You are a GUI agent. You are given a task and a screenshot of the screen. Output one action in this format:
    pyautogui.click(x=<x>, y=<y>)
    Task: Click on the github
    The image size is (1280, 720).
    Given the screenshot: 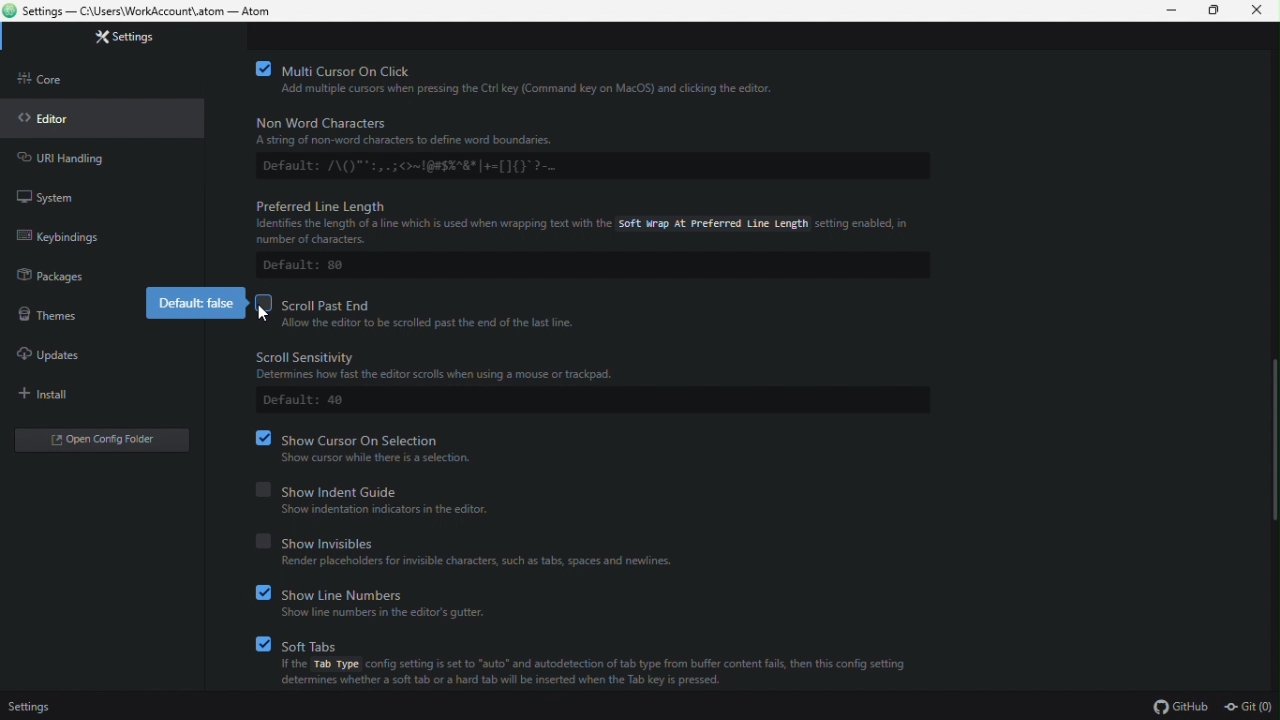 What is the action you would take?
    pyautogui.click(x=1175, y=707)
    